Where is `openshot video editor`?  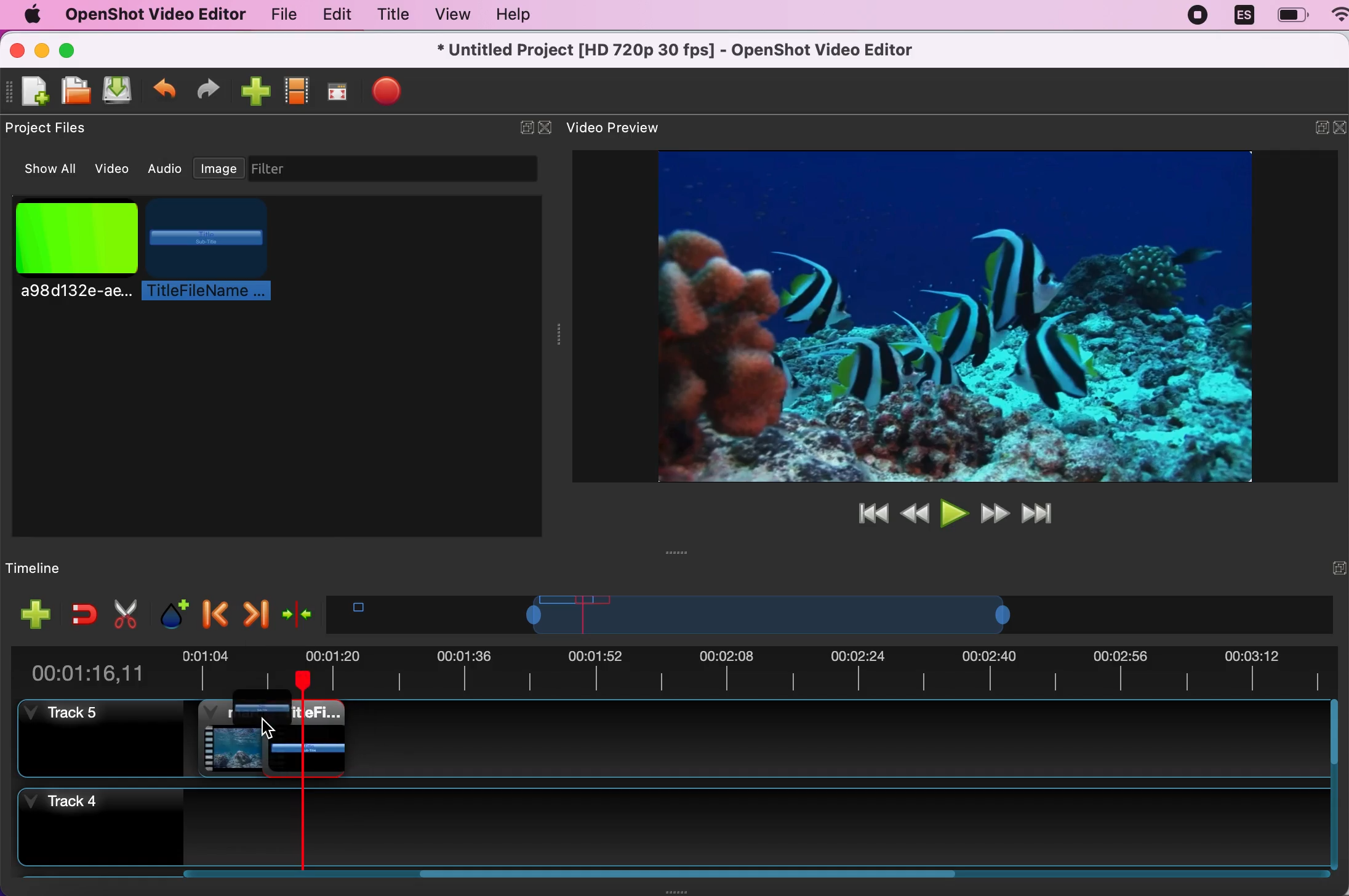 openshot video editor is located at coordinates (154, 15).